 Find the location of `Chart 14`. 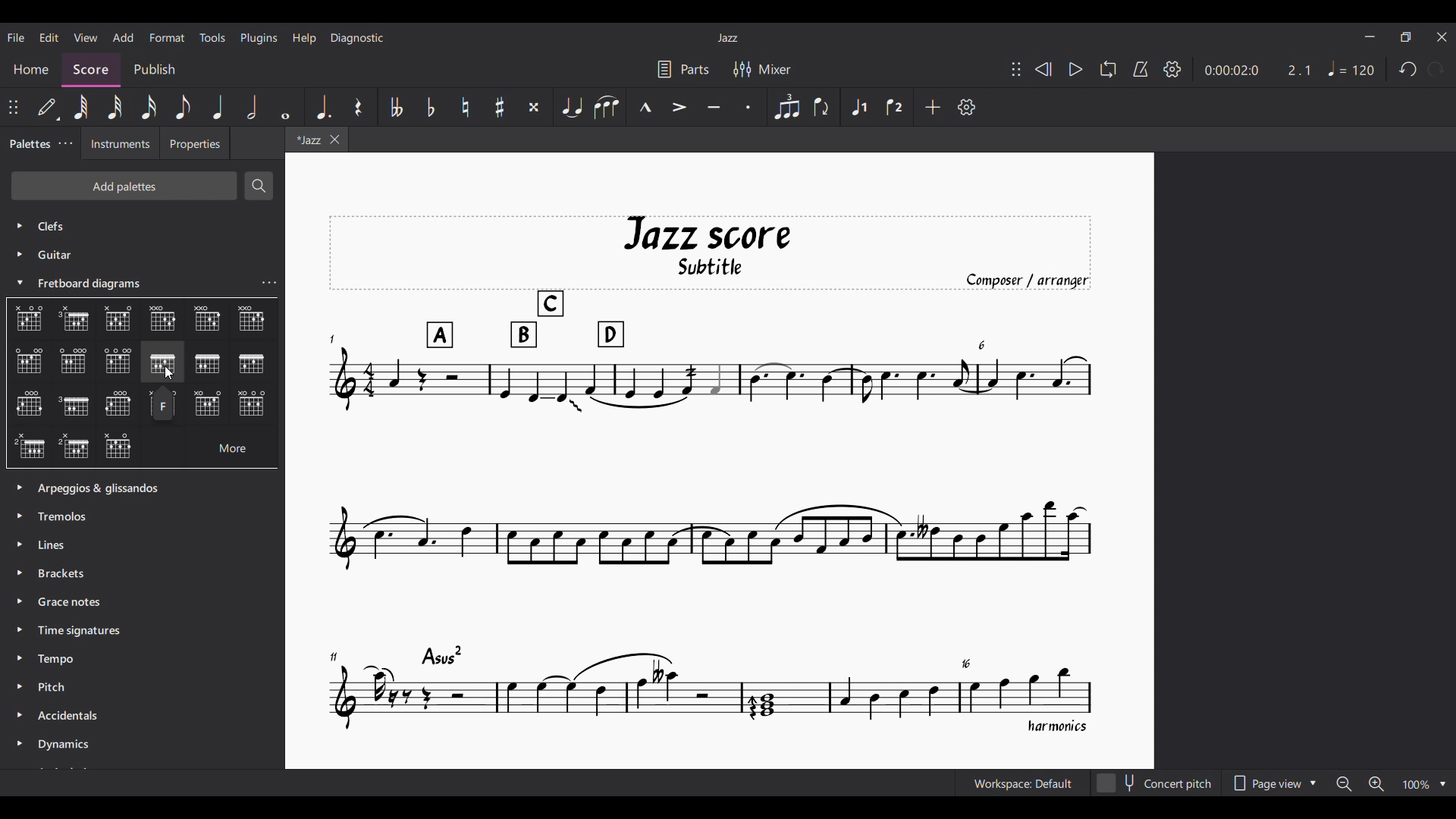

Chart 14 is located at coordinates (119, 405).